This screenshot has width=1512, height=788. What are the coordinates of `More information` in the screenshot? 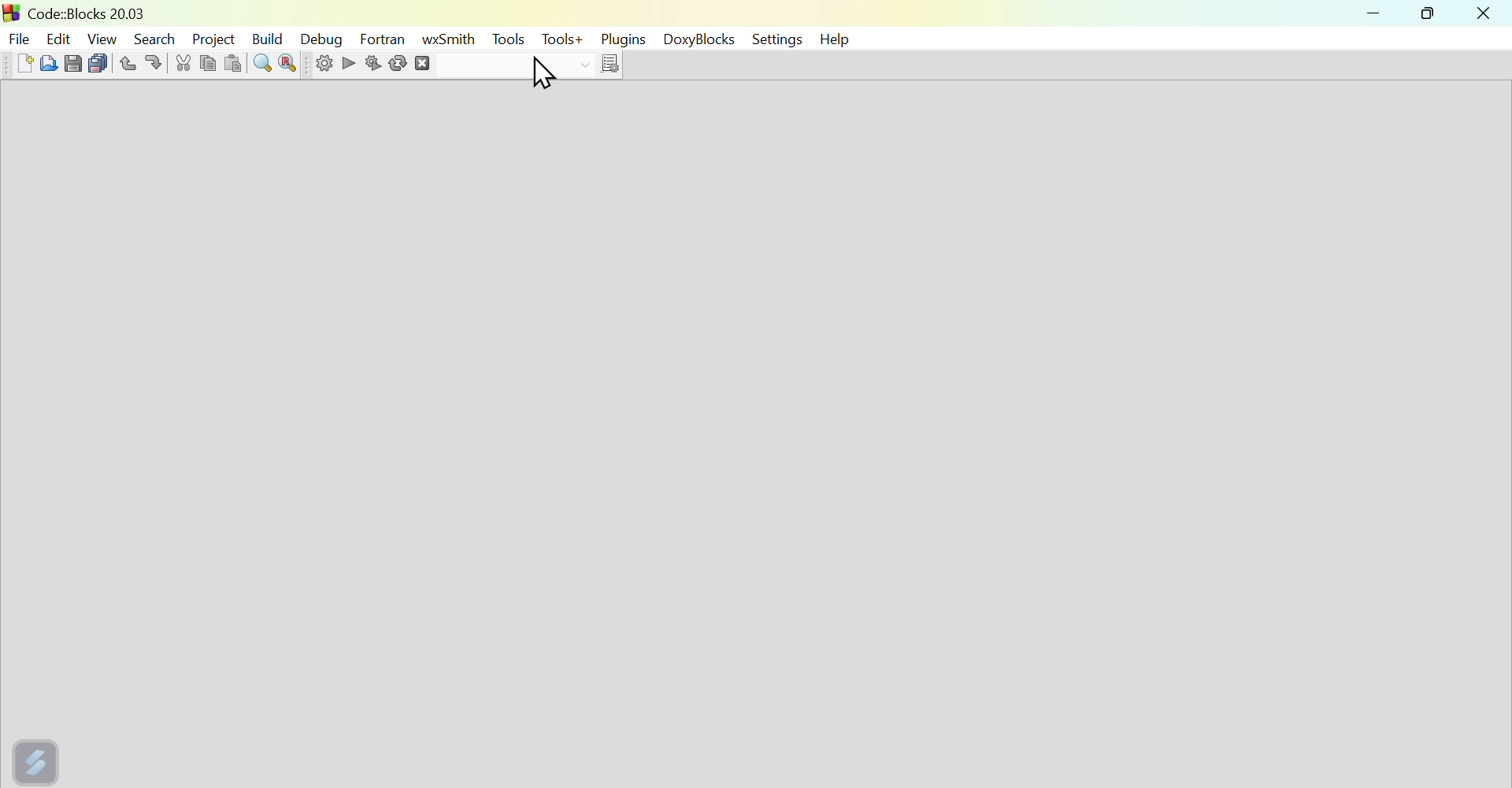 It's located at (601, 65).